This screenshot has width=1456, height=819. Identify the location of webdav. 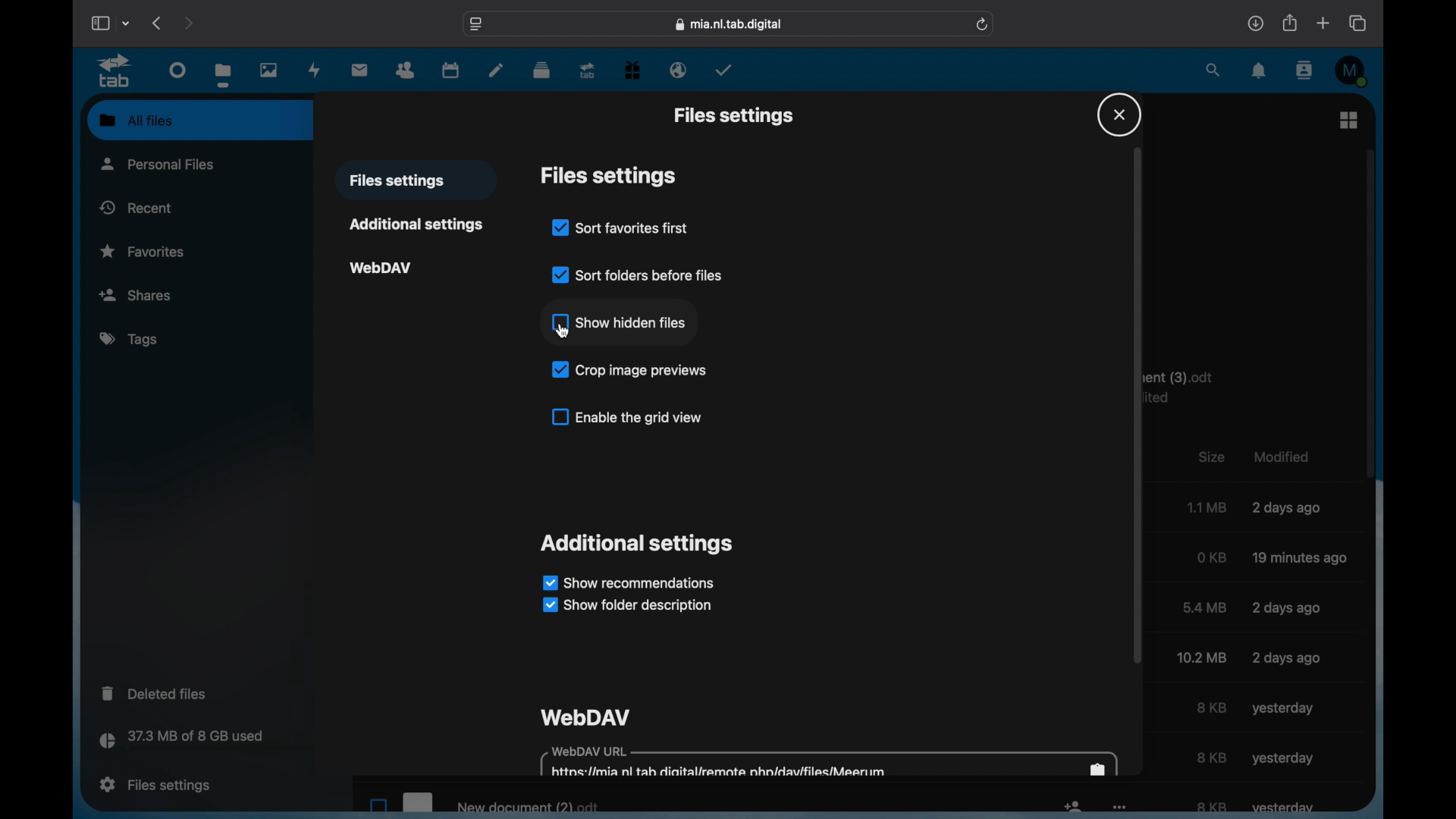
(381, 268).